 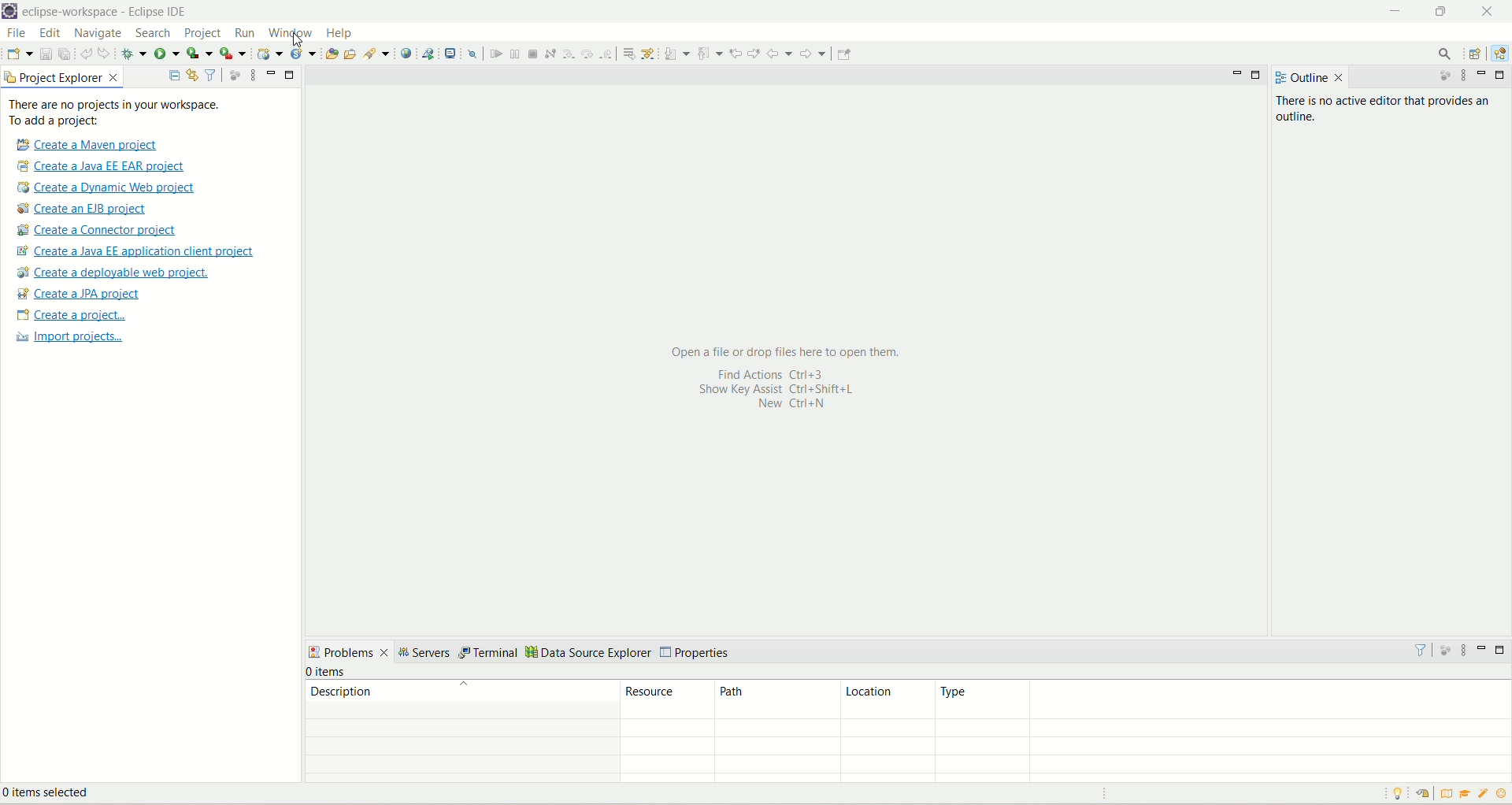 What do you see at coordinates (1443, 648) in the screenshot?
I see `focus on active task` at bounding box center [1443, 648].